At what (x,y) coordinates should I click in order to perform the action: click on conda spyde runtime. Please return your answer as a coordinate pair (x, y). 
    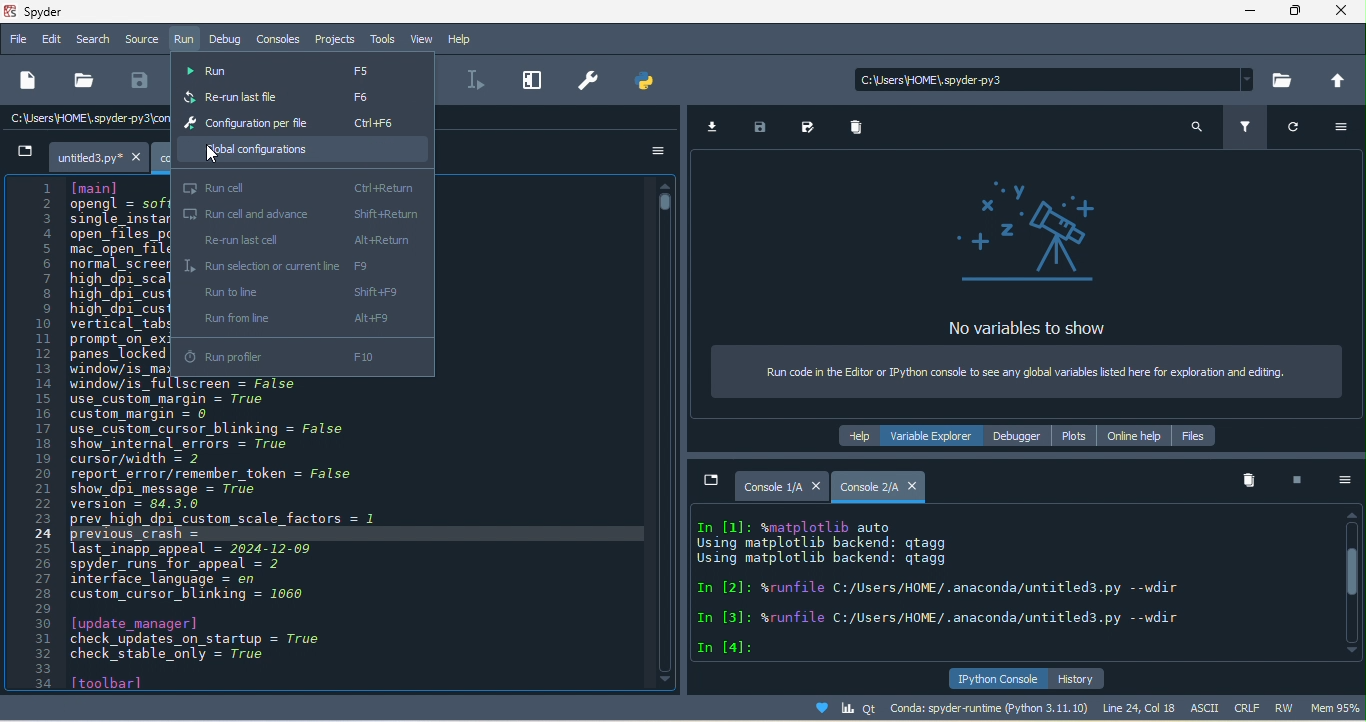
    Looking at the image, I should click on (943, 710).